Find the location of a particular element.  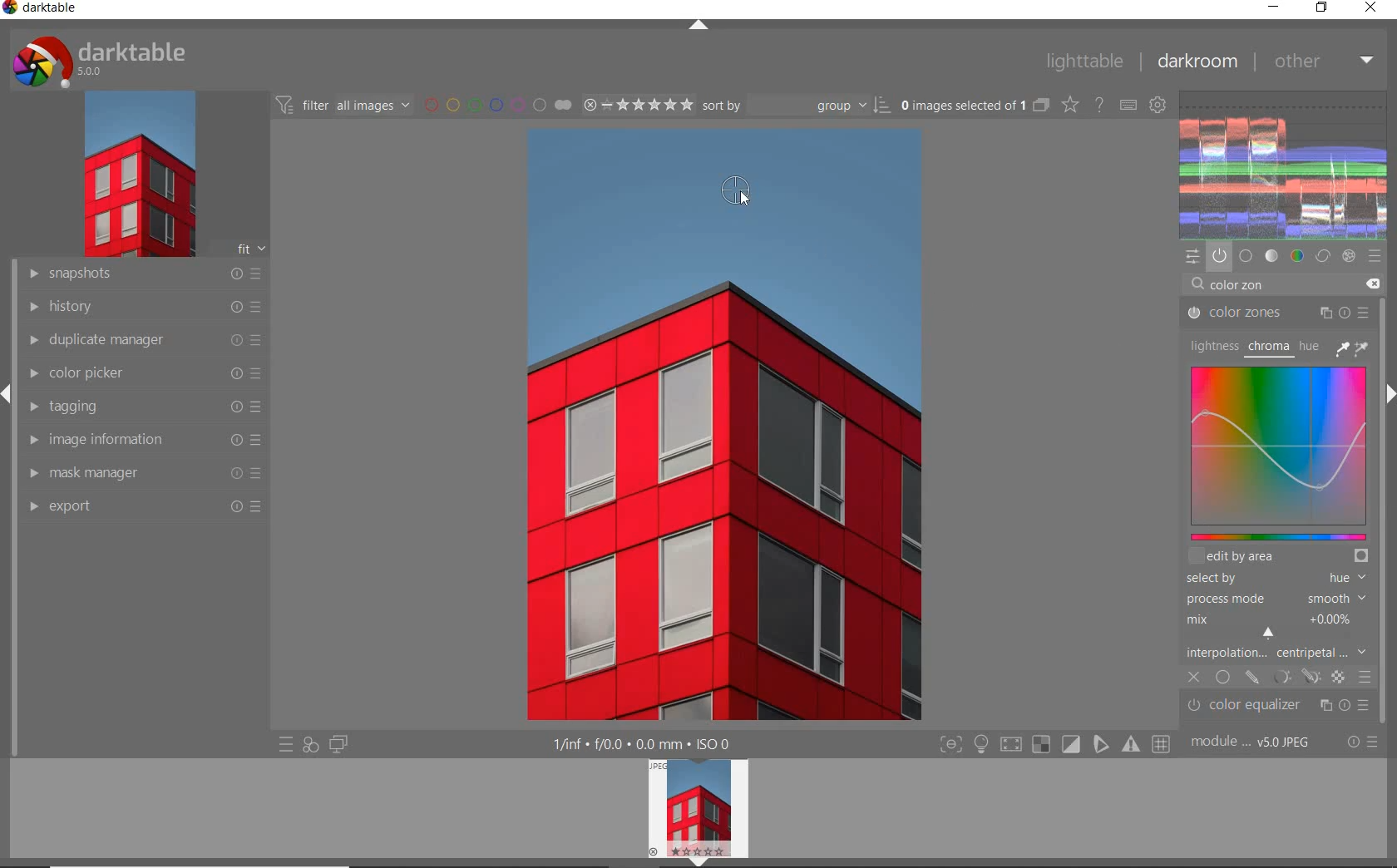

BLENDING OPTIONS is located at coordinates (1365, 676).